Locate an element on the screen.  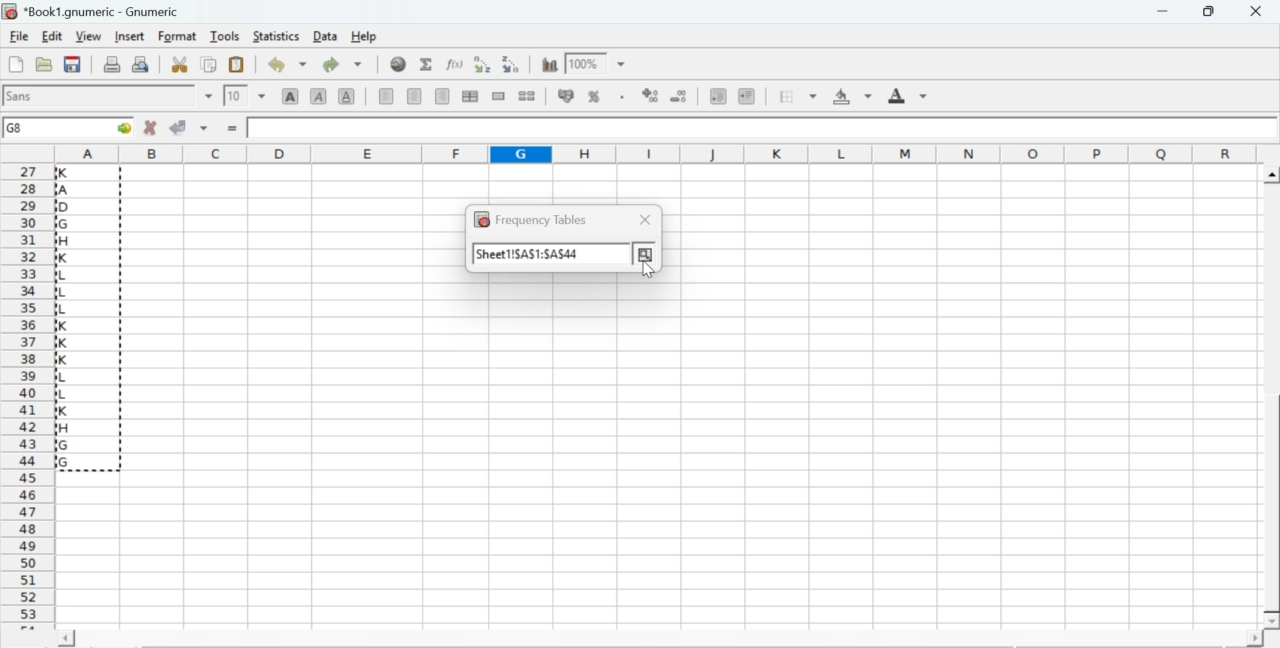
accept changes is located at coordinates (179, 126).